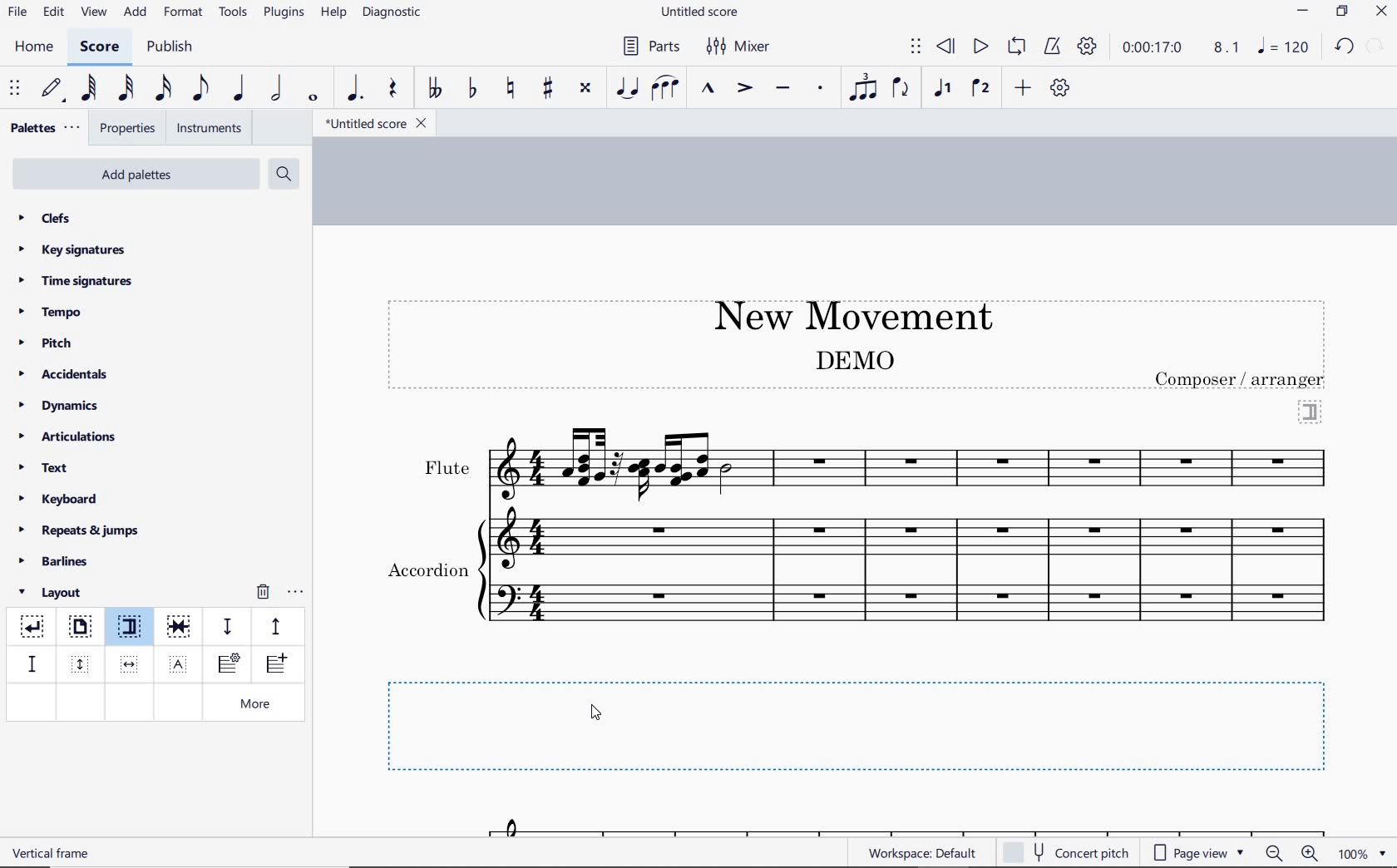 This screenshot has width=1397, height=868. What do you see at coordinates (666, 89) in the screenshot?
I see `slur` at bounding box center [666, 89].